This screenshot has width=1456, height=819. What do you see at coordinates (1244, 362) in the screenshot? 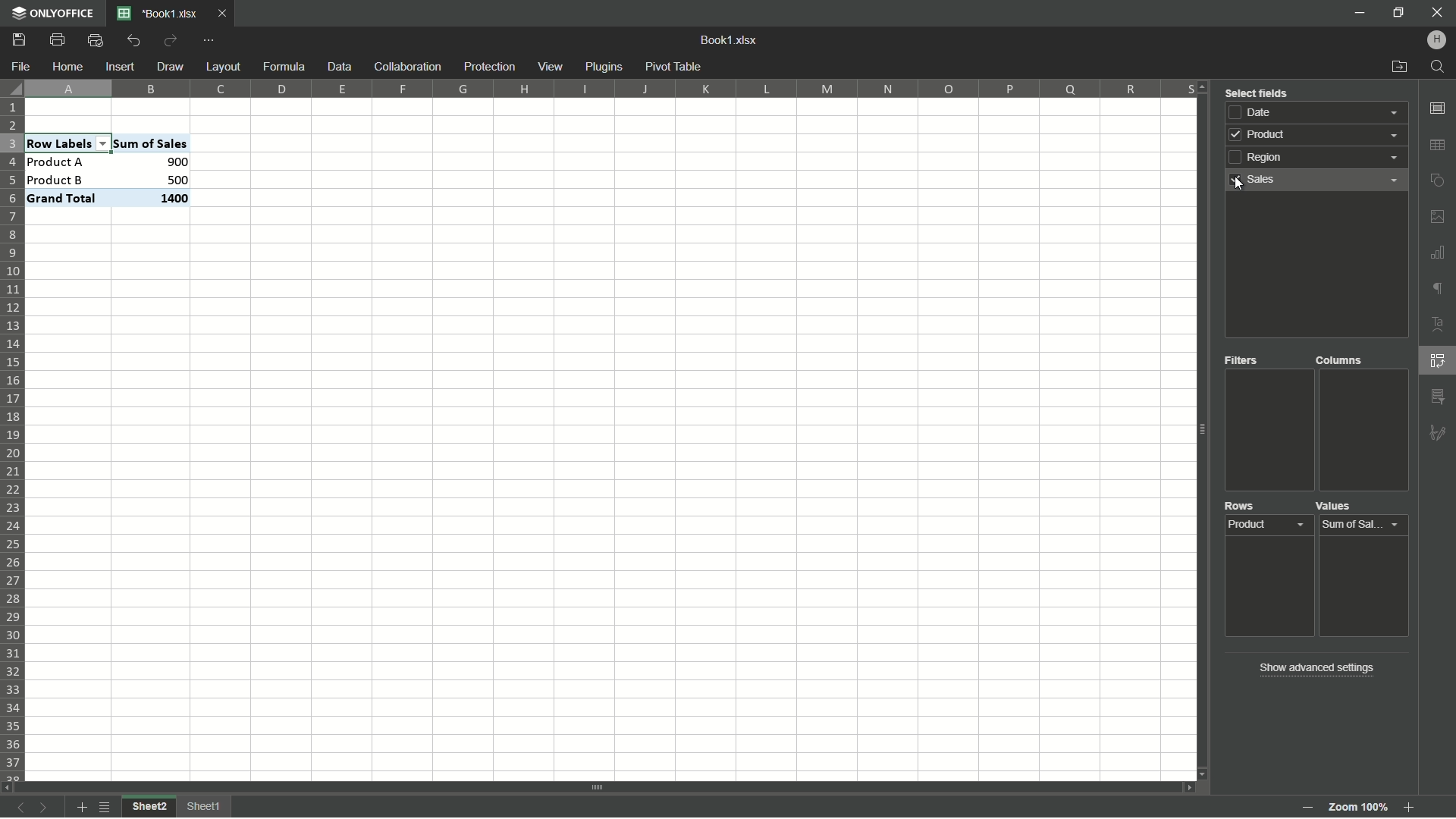
I see `filters` at bounding box center [1244, 362].